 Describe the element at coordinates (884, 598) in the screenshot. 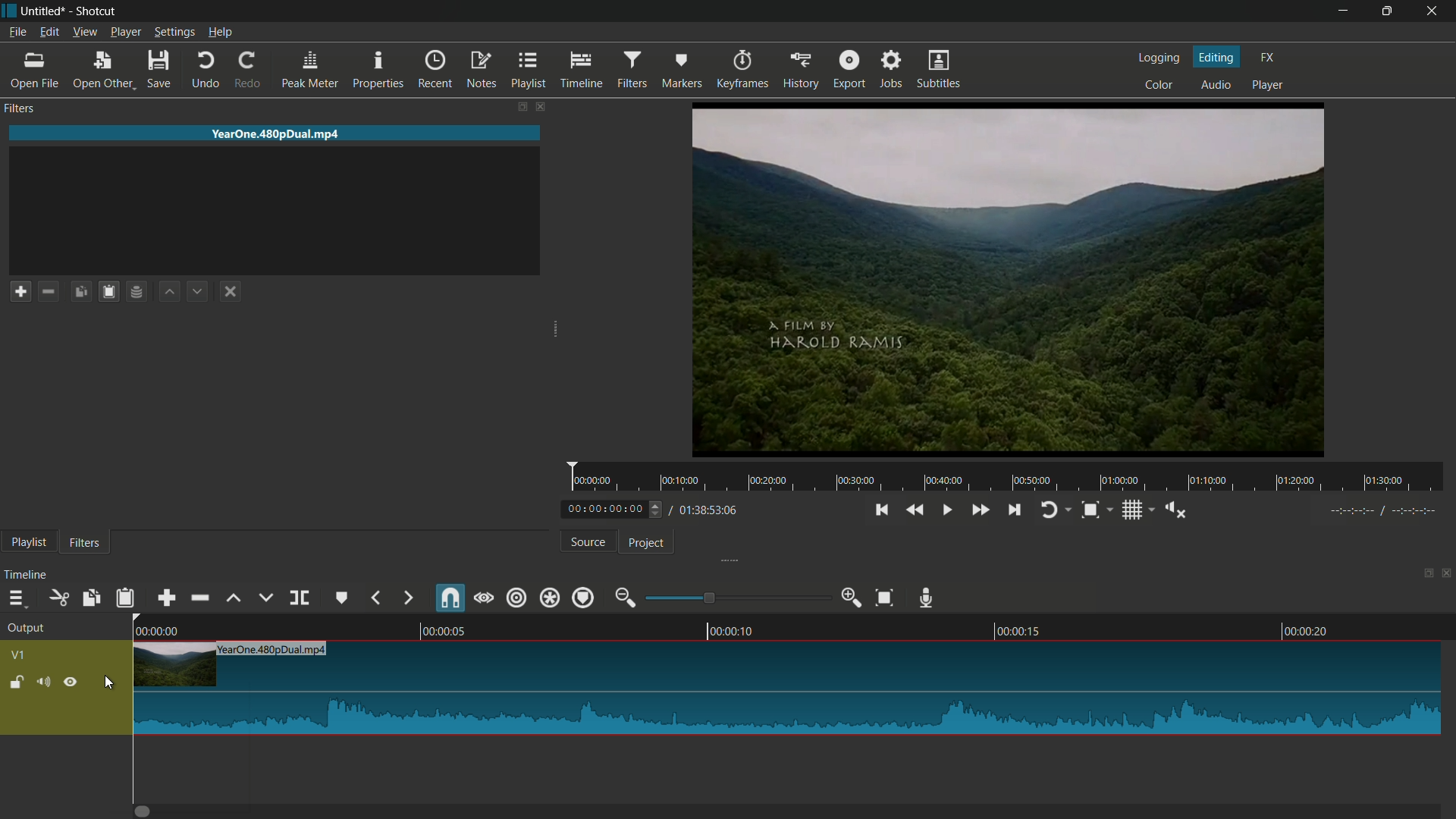

I see `zoom timeline to fit` at that location.